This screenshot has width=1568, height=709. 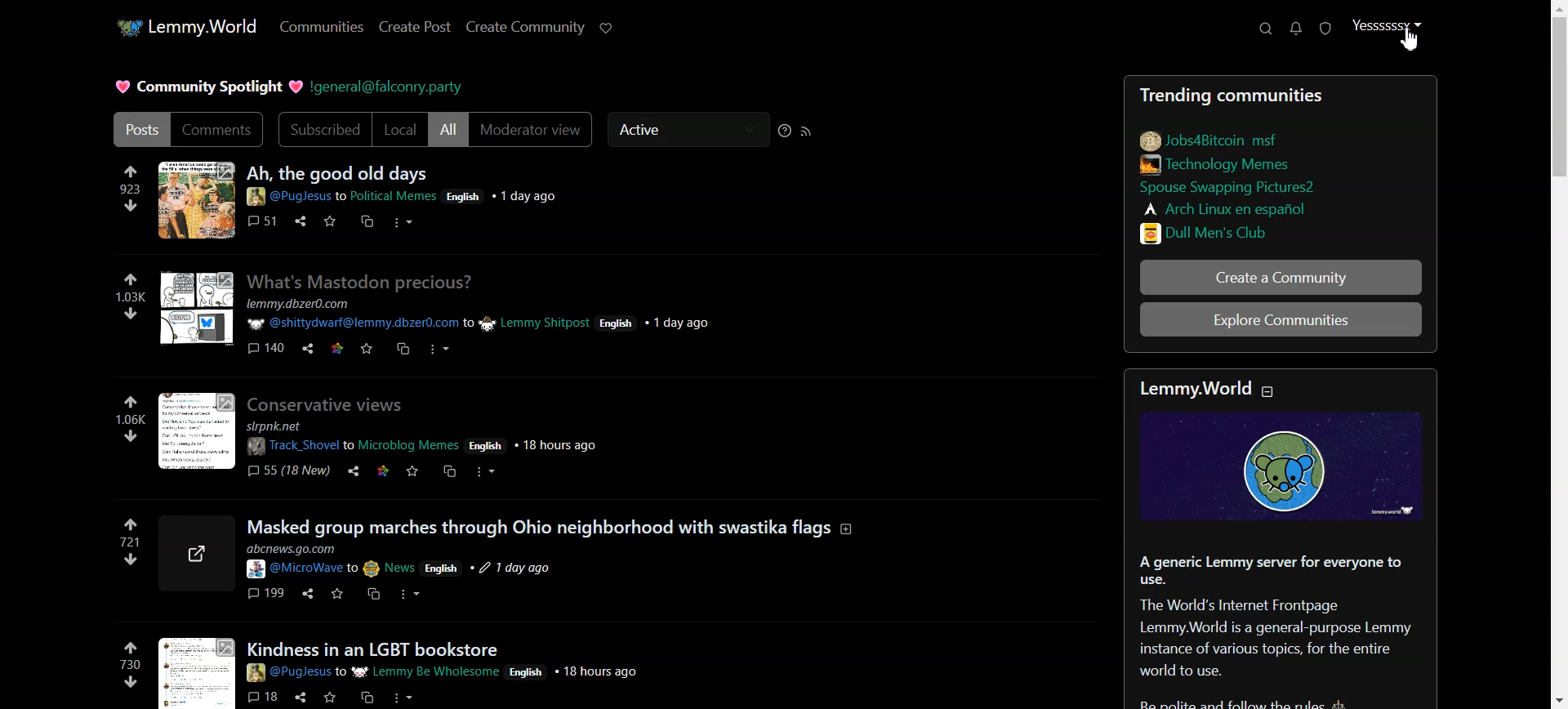 I want to click on , so click(x=549, y=525).